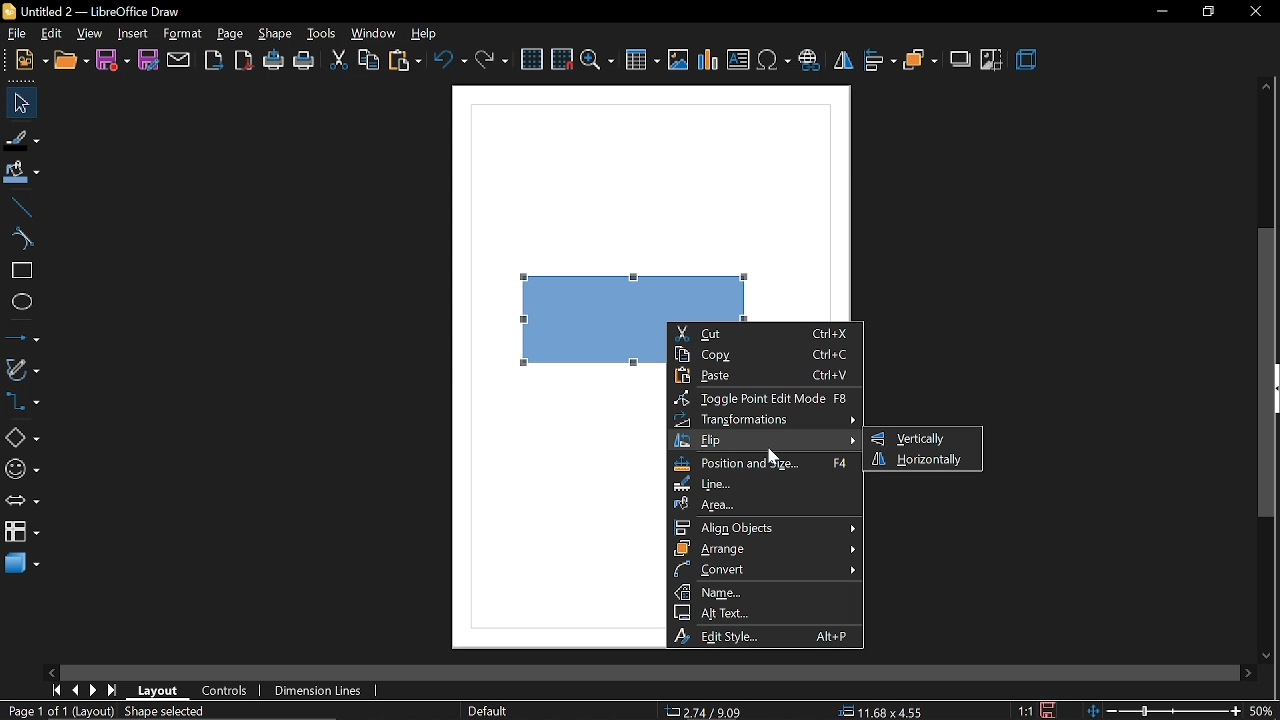 This screenshot has height=720, width=1280. What do you see at coordinates (18, 208) in the screenshot?
I see `line` at bounding box center [18, 208].